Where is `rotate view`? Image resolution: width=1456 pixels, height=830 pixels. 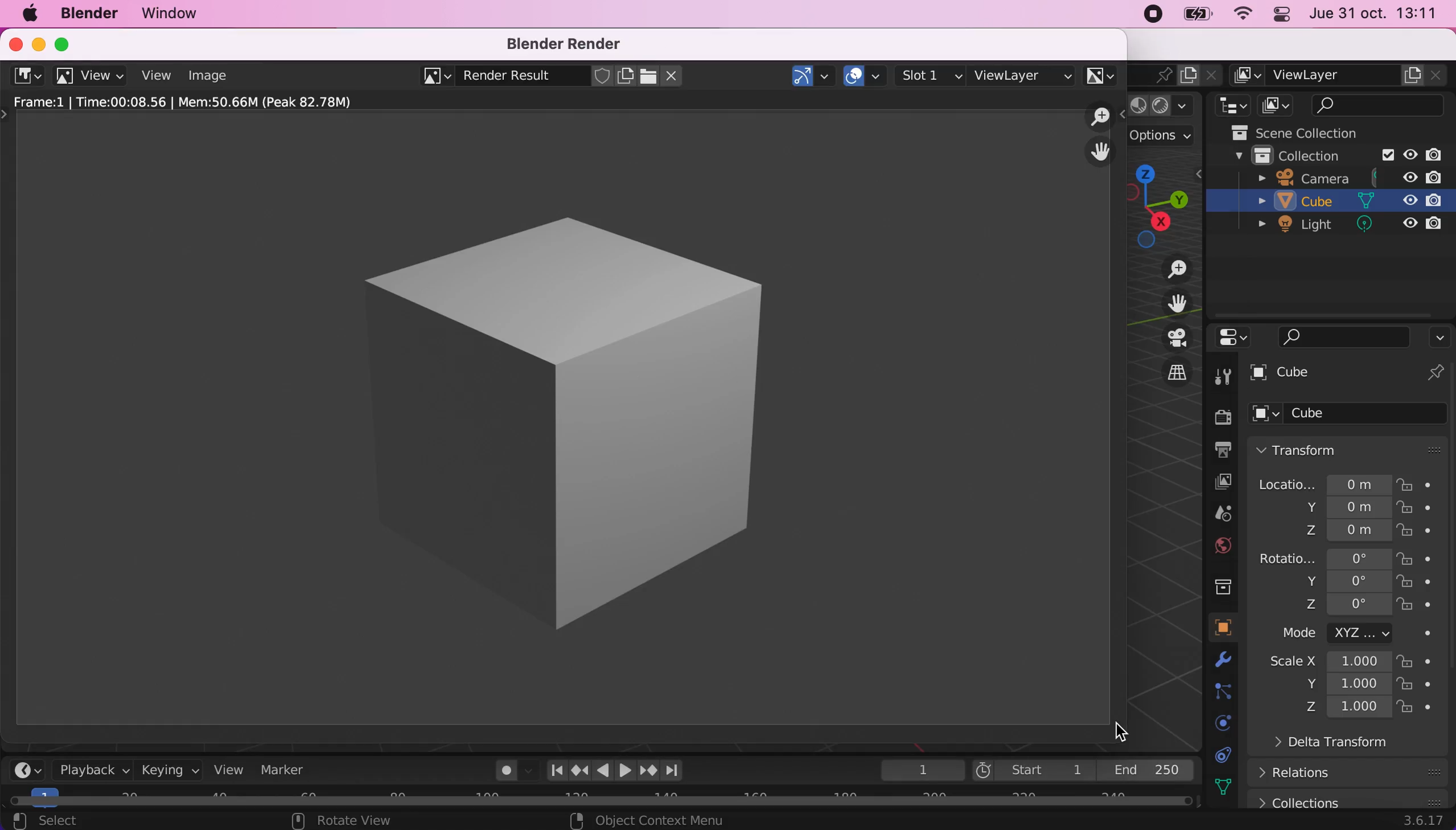 rotate view is located at coordinates (346, 821).